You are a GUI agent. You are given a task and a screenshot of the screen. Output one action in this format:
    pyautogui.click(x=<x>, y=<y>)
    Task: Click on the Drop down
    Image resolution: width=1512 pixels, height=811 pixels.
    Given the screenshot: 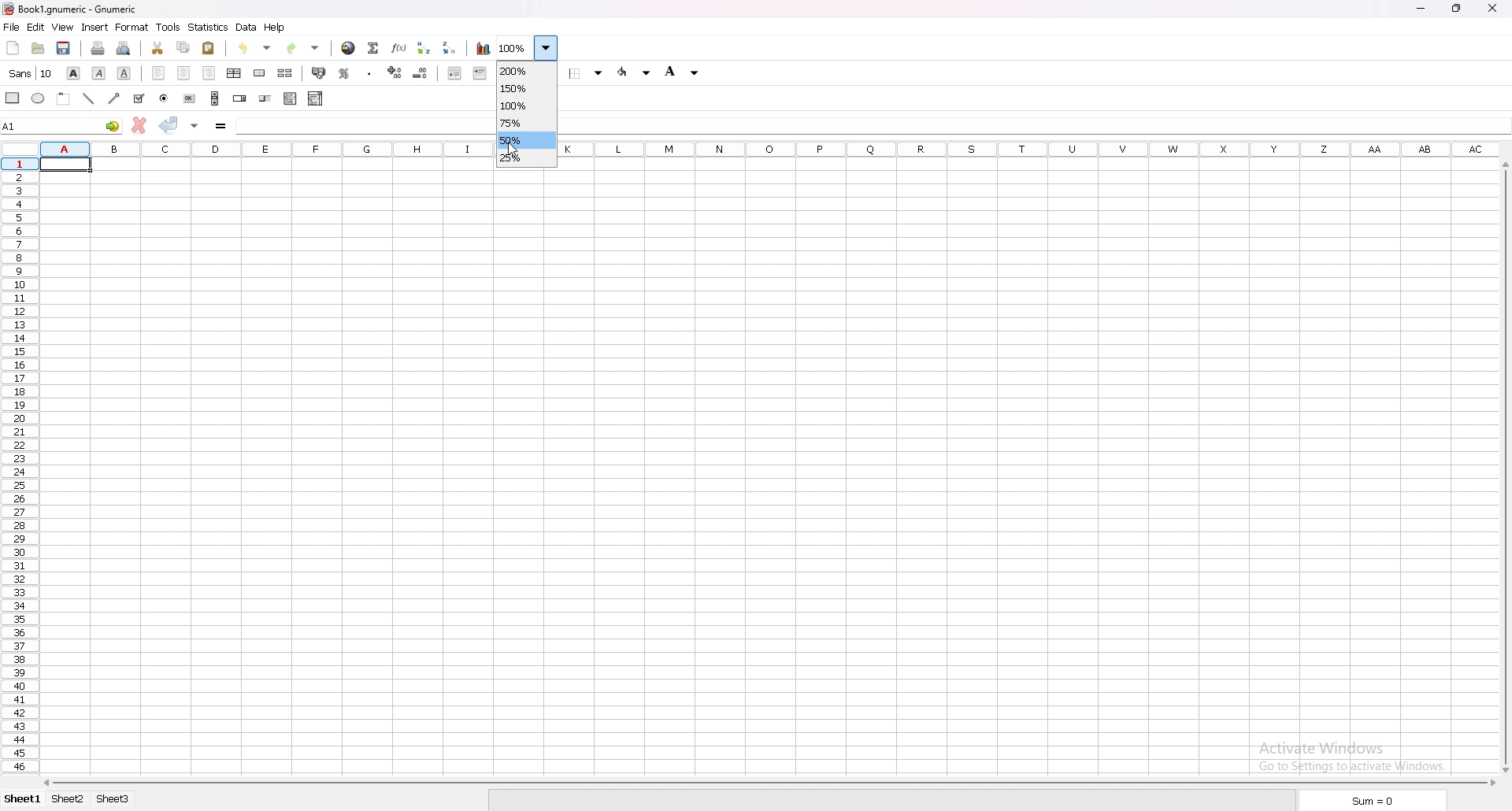 What is the action you would take?
    pyautogui.click(x=546, y=48)
    